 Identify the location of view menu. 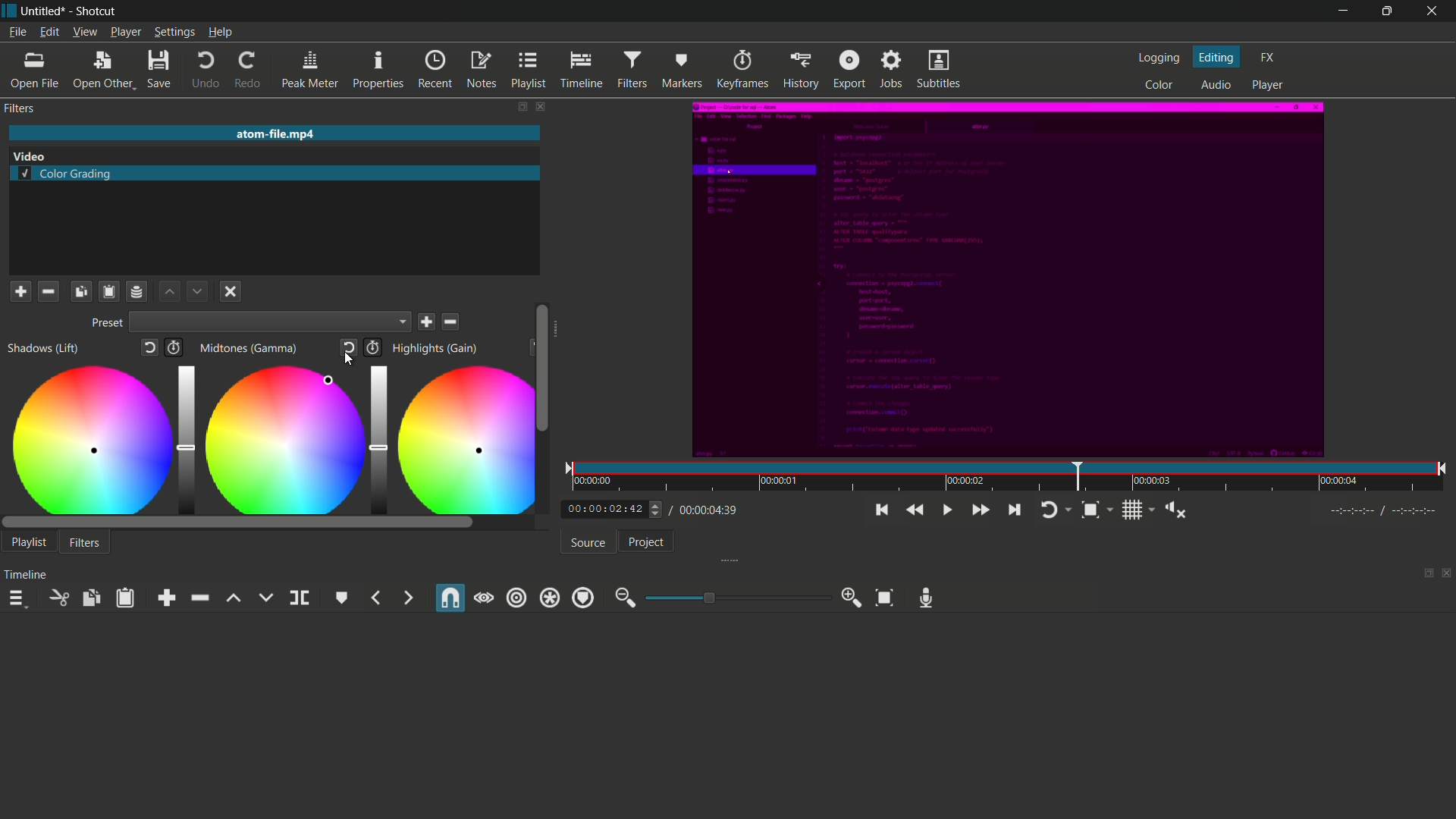
(85, 31).